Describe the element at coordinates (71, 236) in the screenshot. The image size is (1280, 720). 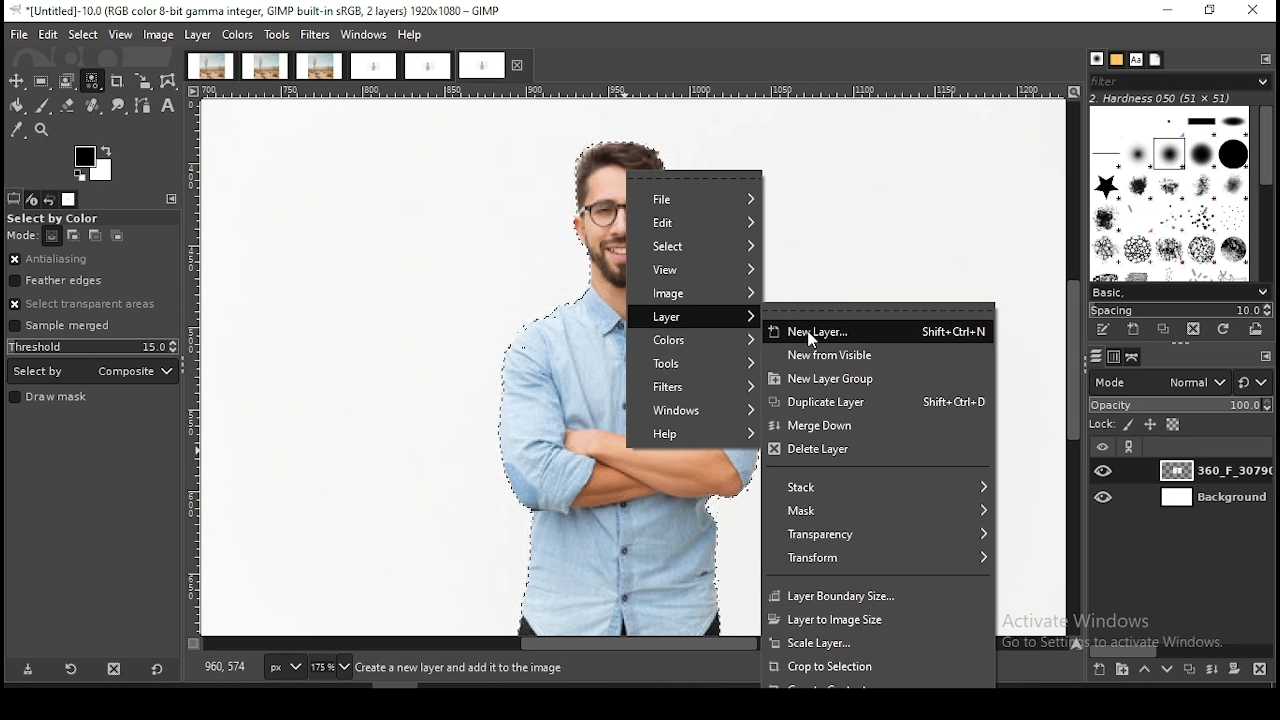
I see `add to the current selection` at that location.